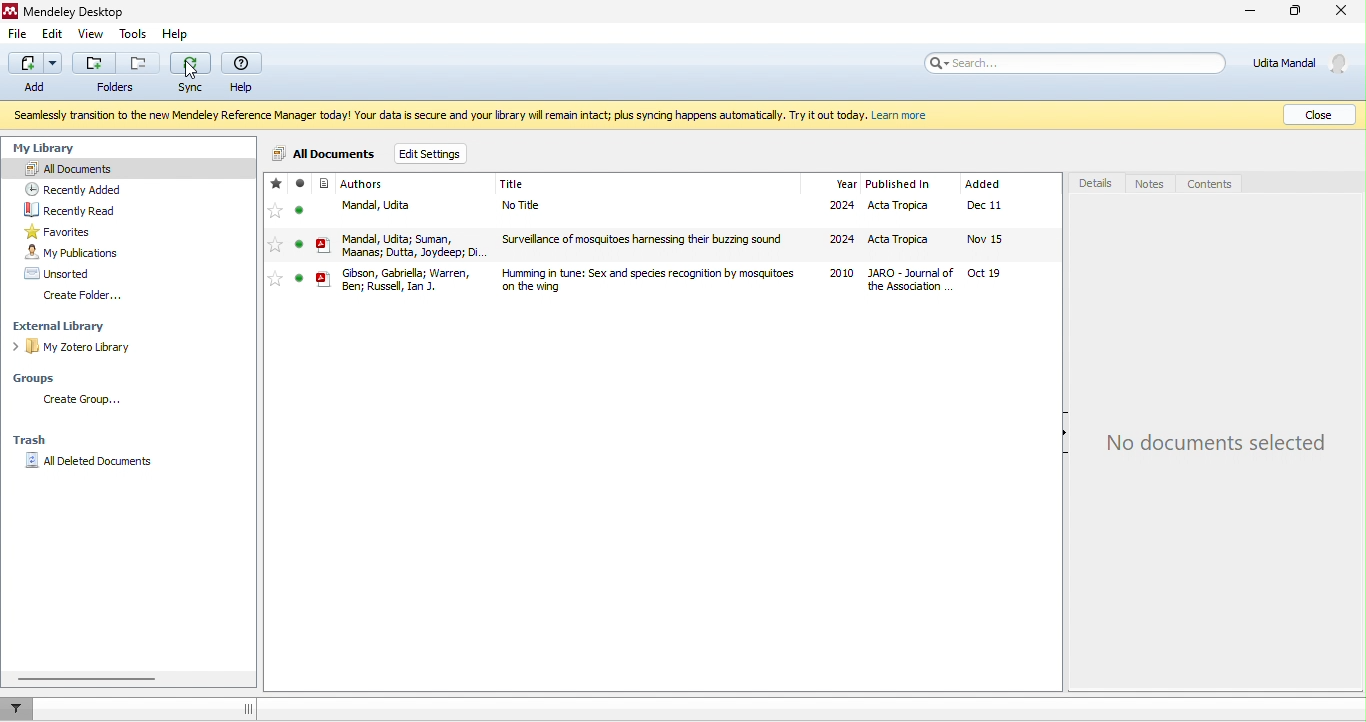 This screenshot has height=722, width=1366. I want to click on Sync library to ensured updates are saved , so click(491, 117).